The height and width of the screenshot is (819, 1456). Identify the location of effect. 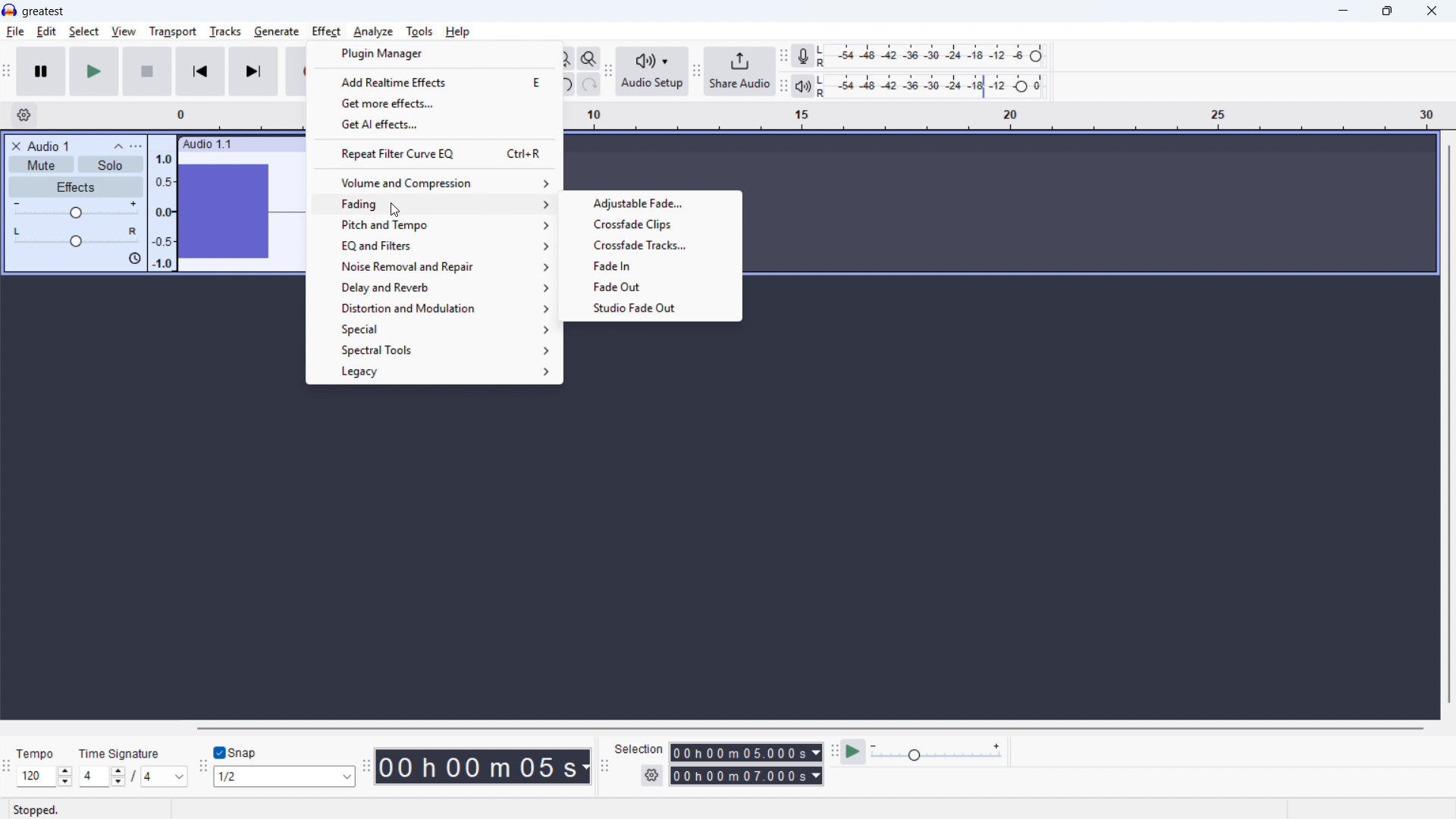
(327, 32).